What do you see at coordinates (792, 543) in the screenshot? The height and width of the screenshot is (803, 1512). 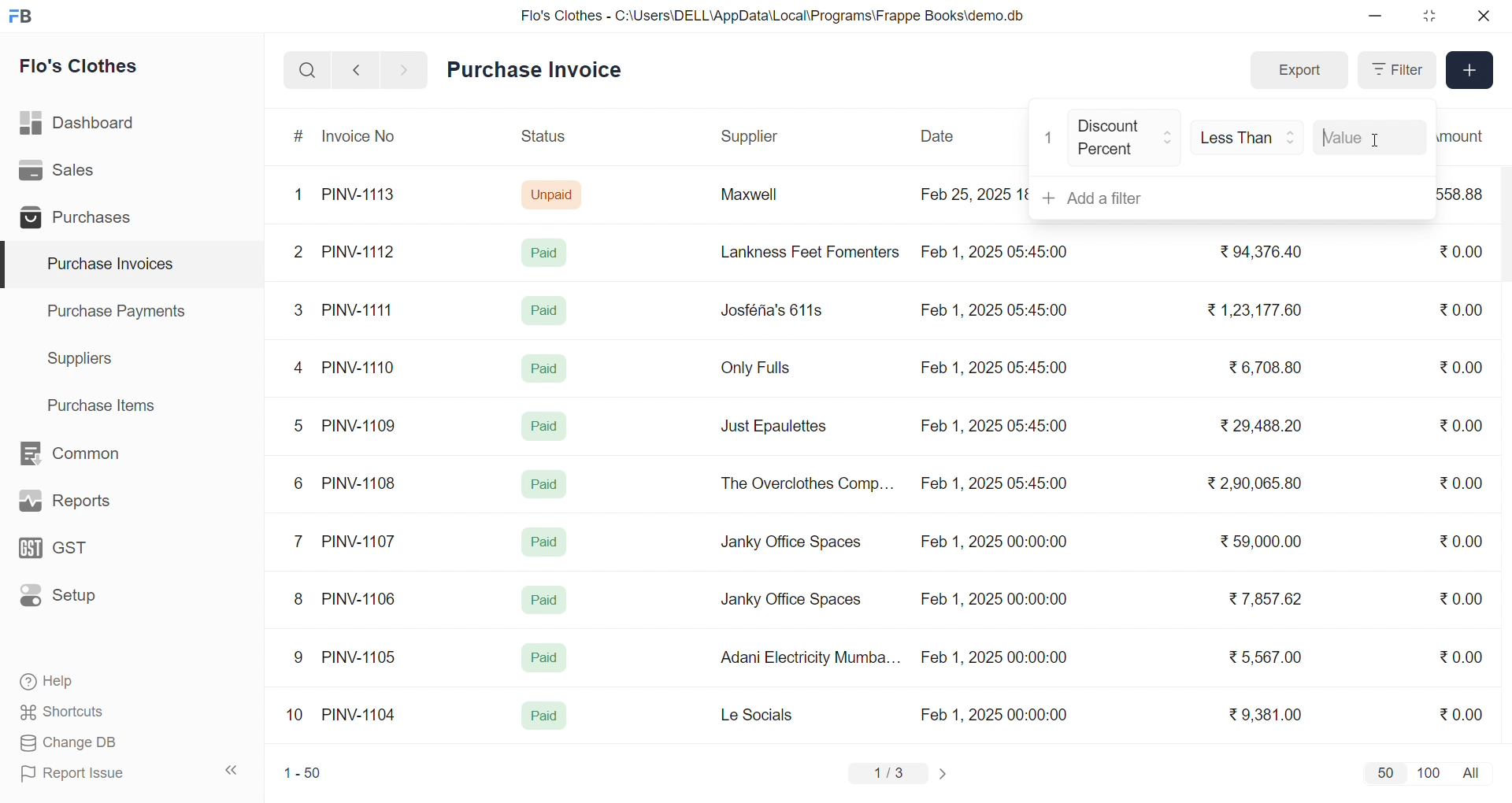 I see `Janky Office Spaces` at bounding box center [792, 543].